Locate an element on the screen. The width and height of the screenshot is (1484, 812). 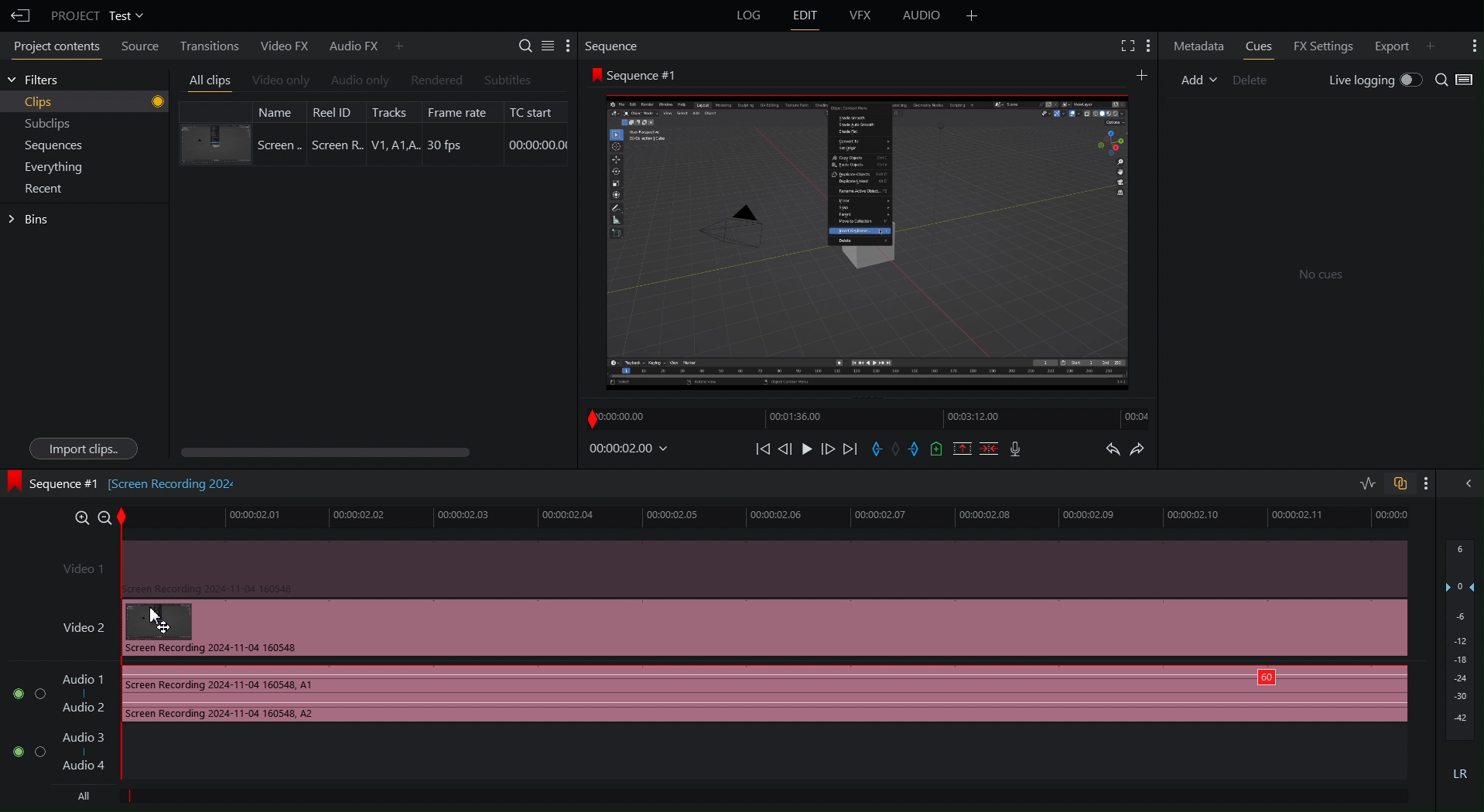
Track 2 Preview is located at coordinates (872, 247).